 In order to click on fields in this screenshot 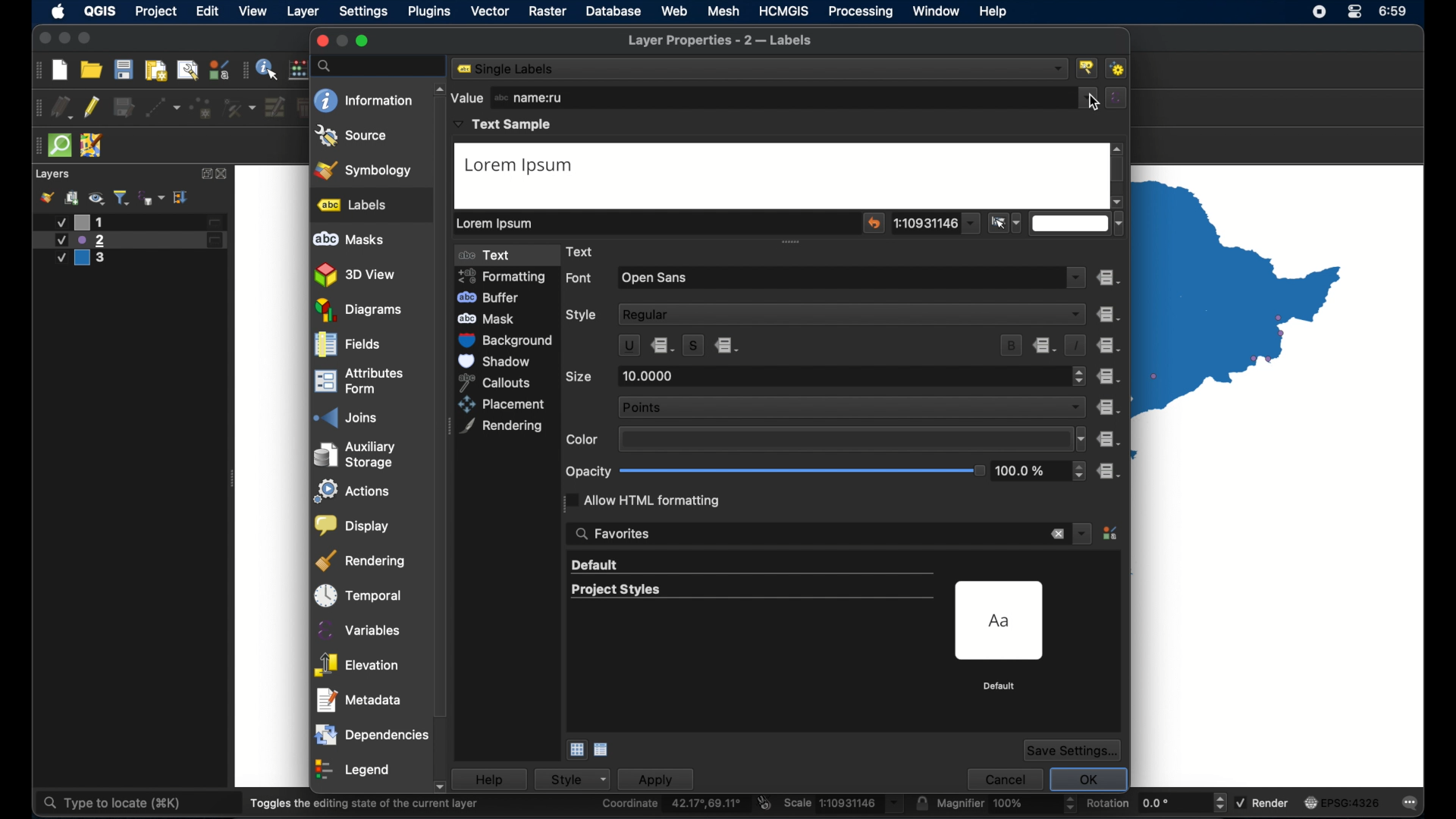, I will do `click(347, 345)`.